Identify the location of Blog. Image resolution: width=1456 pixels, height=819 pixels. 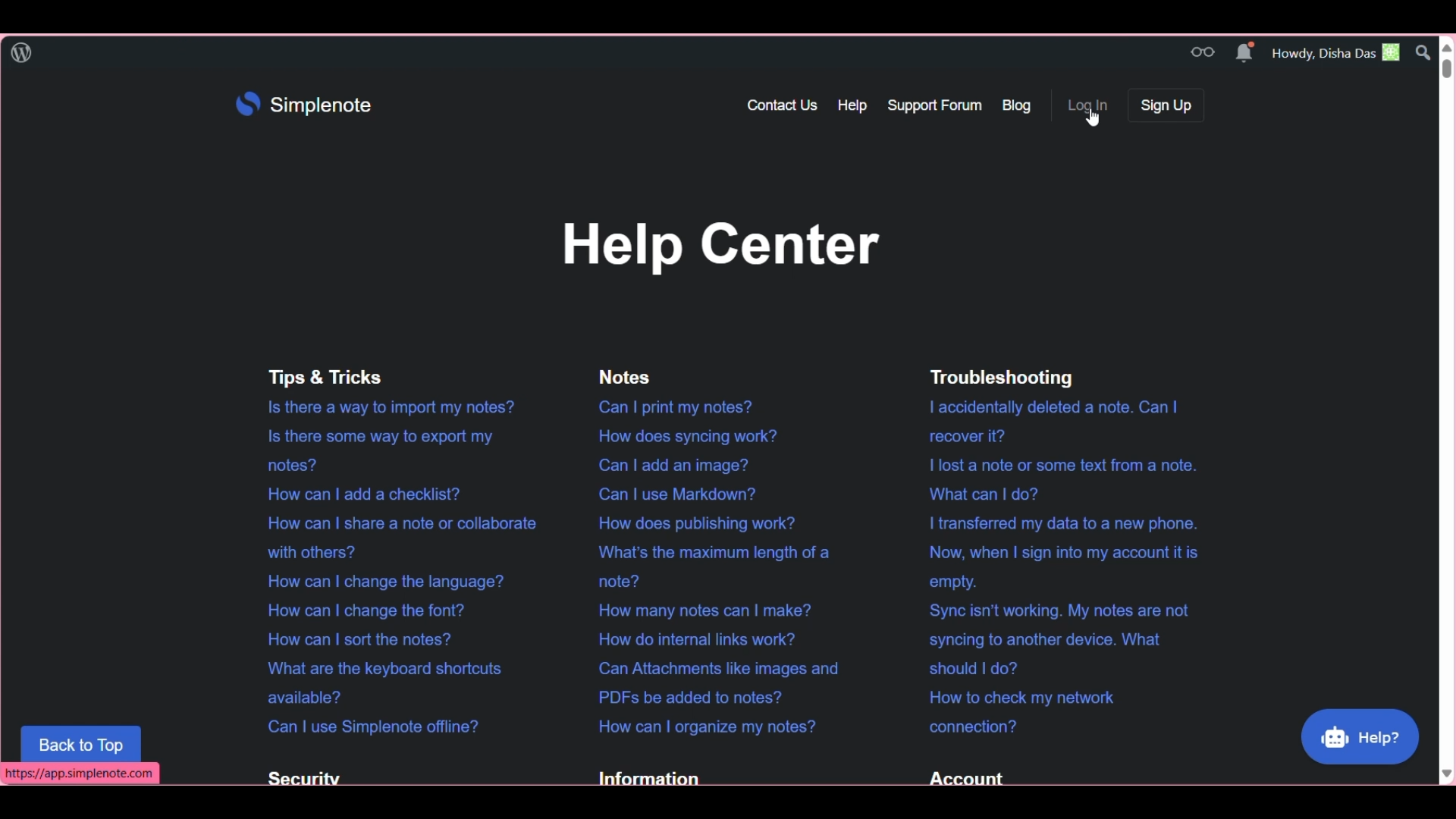
(1019, 105).